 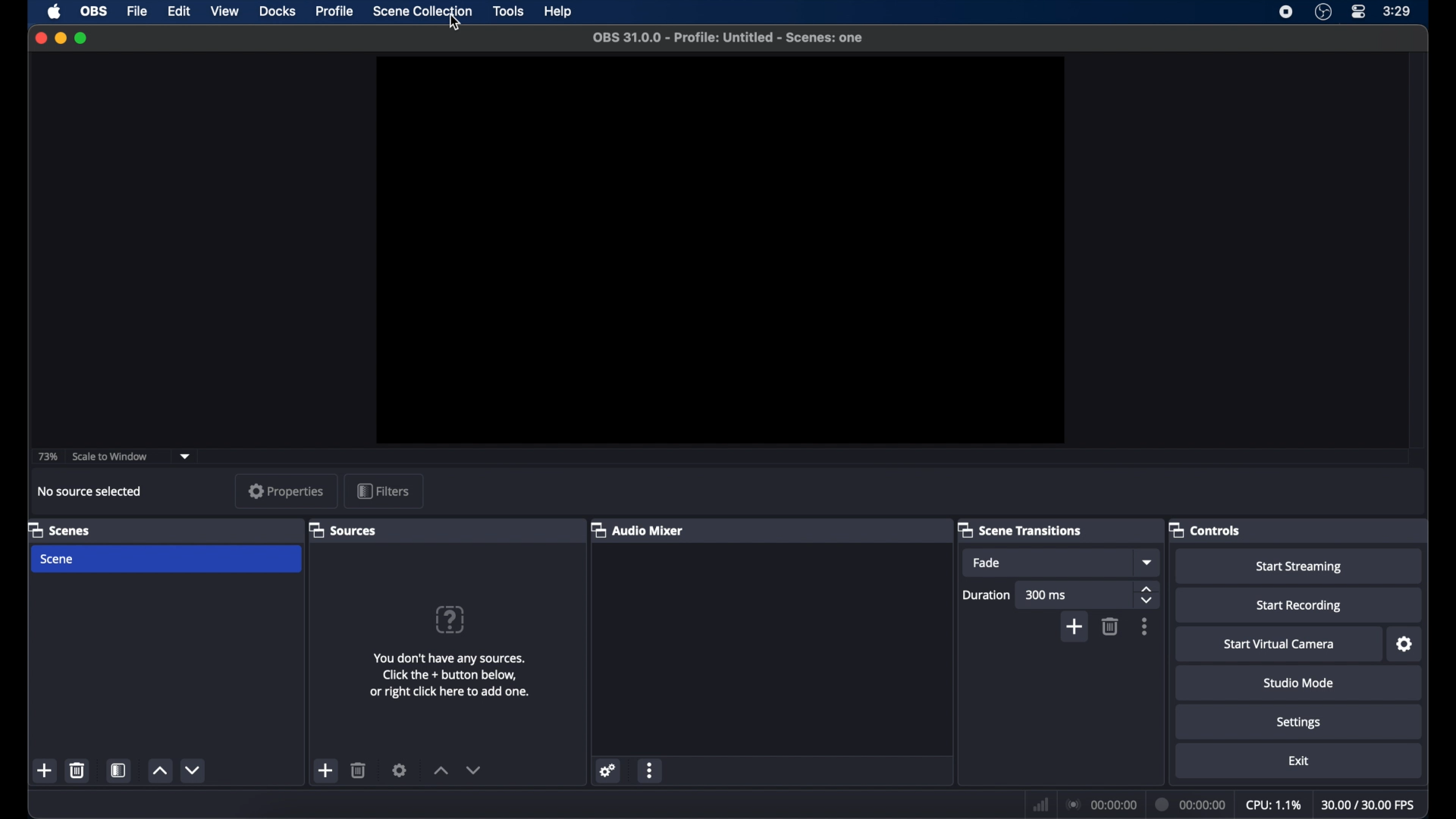 What do you see at coordinates (82, 38) in the screenshot?
I see `maximize` at bounding box center [82, 38].